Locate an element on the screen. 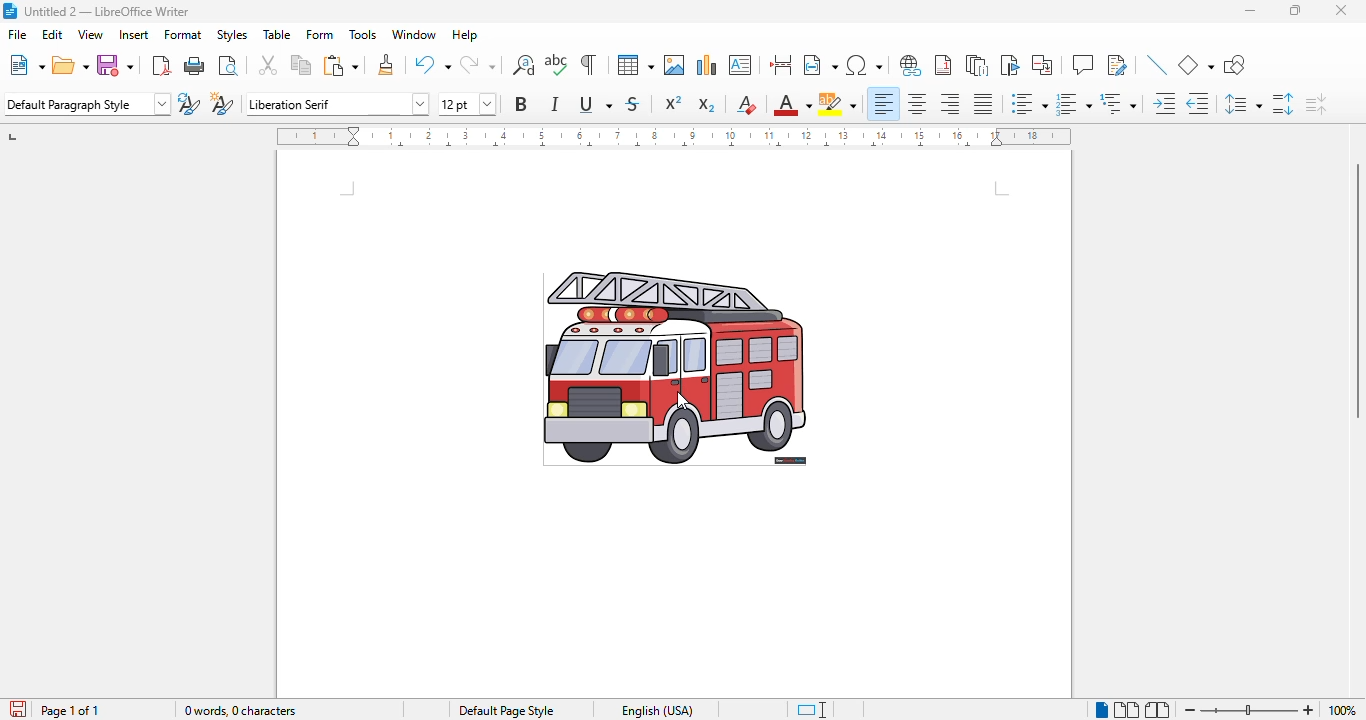  zoom factor is located at coordinates (1342, 710).